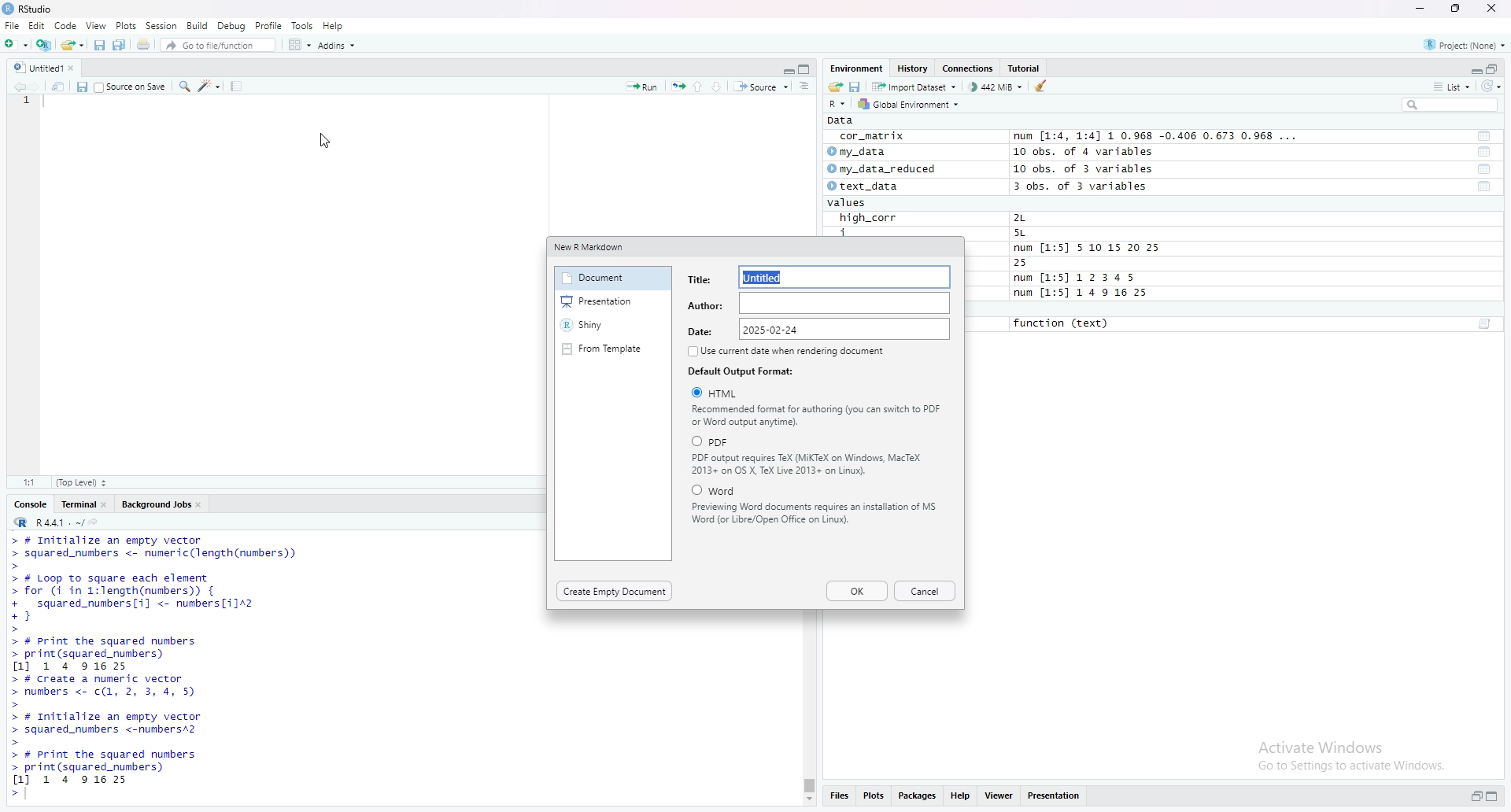 The width and height of the screenshot is (1511, 812). I want to click on minimize, so click(785, 70).